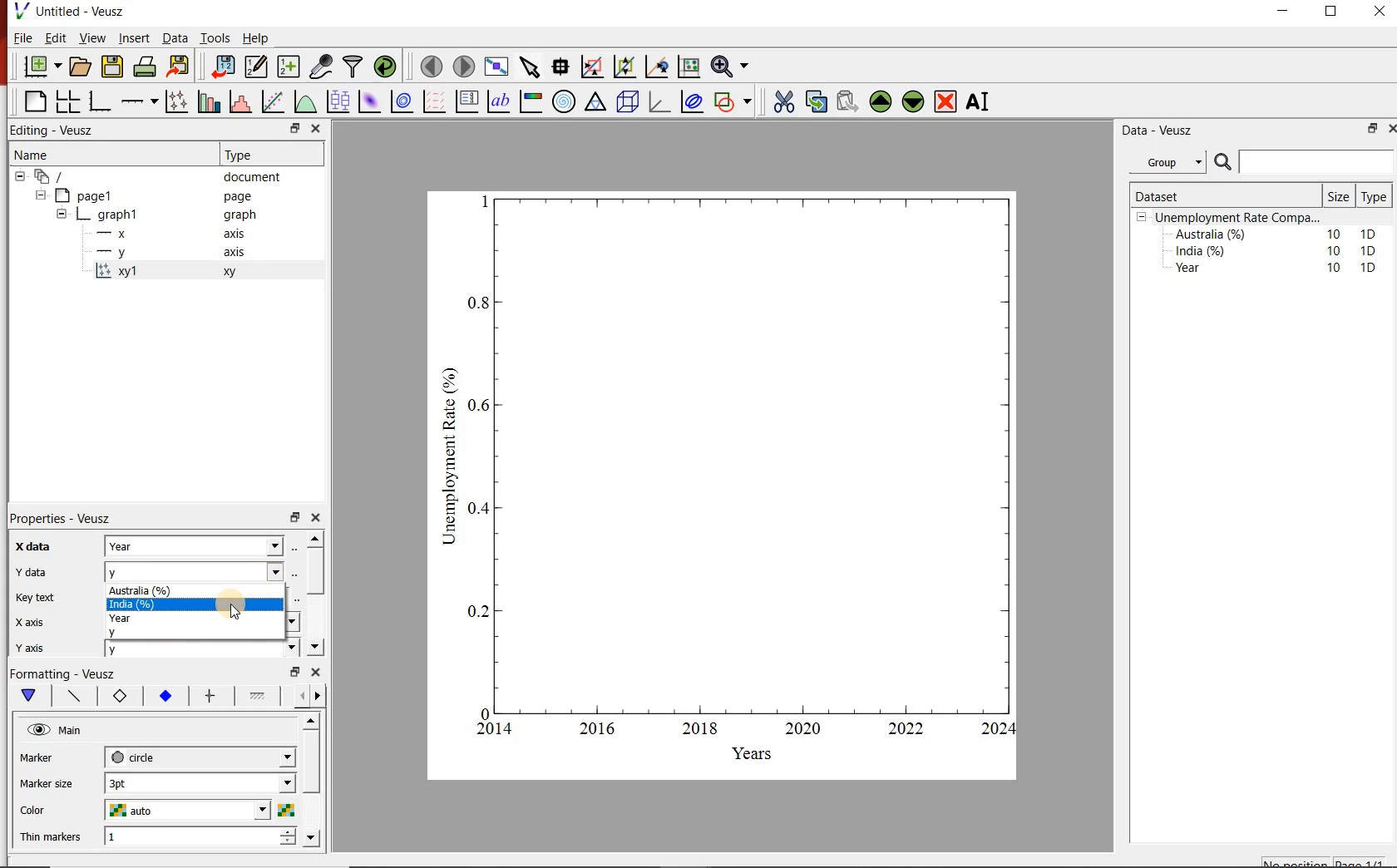  What do you see at coordinates (1371, 128) in the screenshot?
I see `minimise` at bounding box center [1371, 128].